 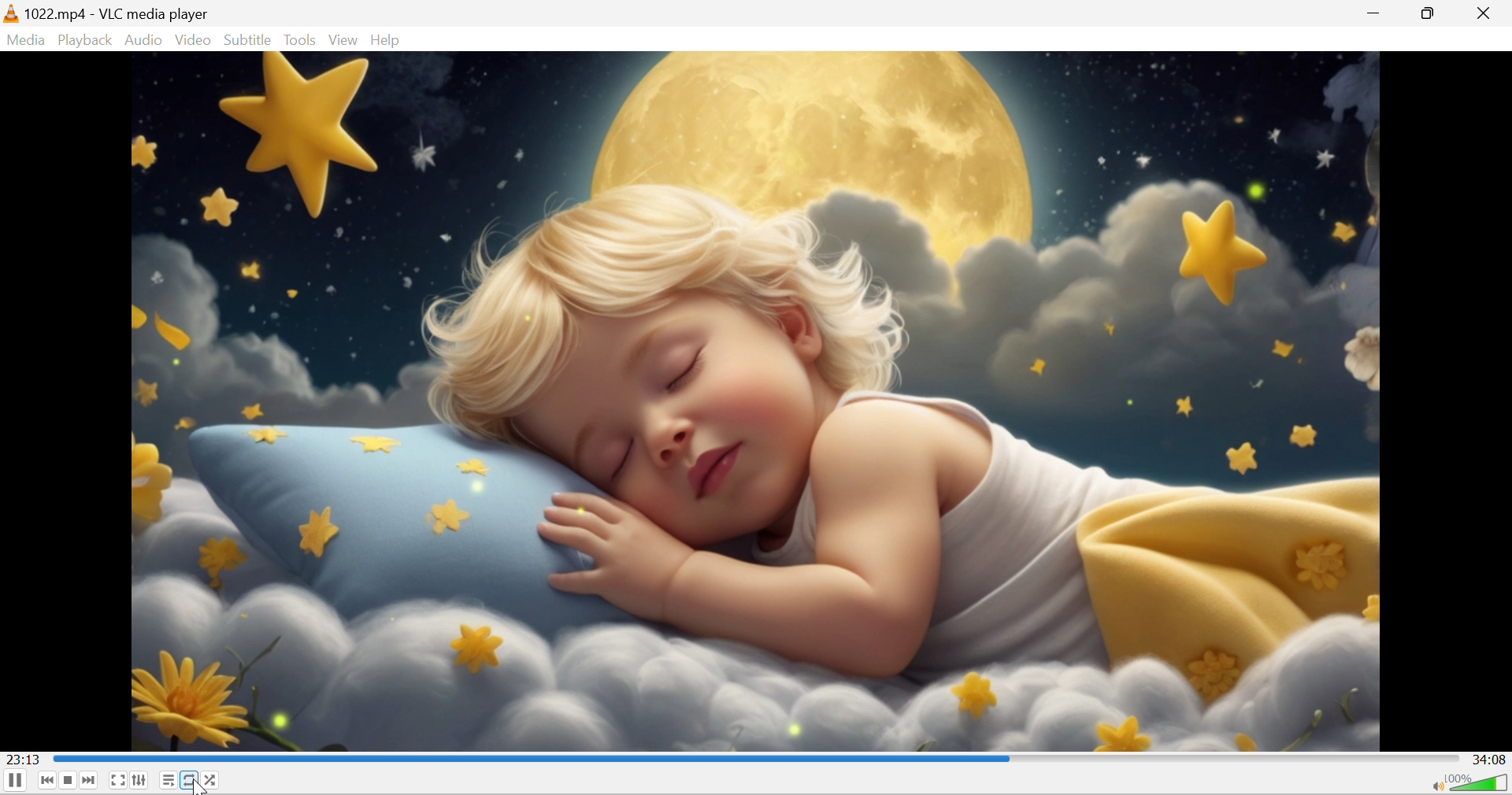 What do you see at coordinates (168, 780) in the screenshot?
I see `Toggle playlist` at bounding box center [168, 780].